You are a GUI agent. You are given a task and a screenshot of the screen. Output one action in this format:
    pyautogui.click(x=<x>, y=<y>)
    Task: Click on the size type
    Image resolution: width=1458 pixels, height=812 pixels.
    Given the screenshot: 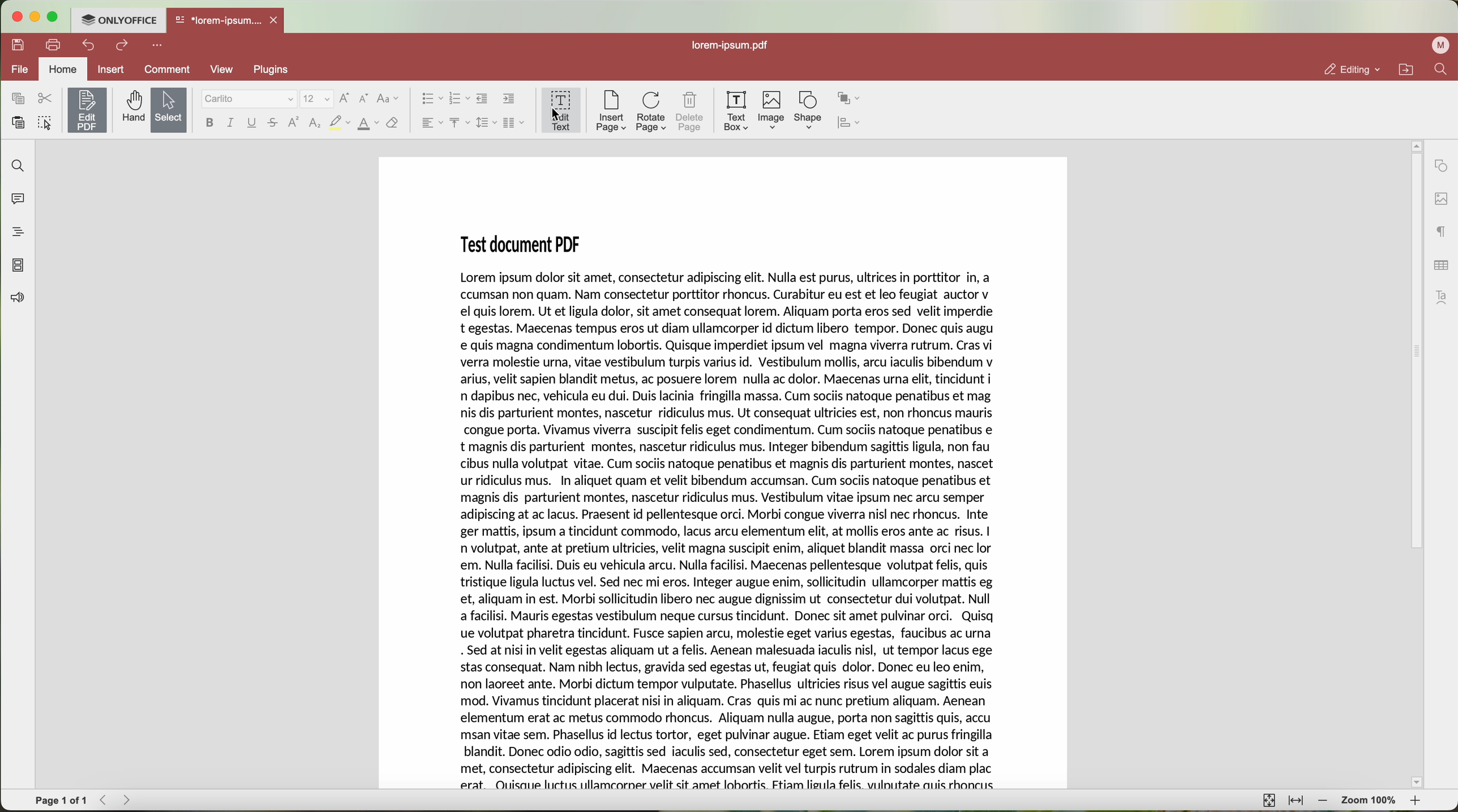 What is the action you would take?
    pyautogui.click(x=316, y=98)
    